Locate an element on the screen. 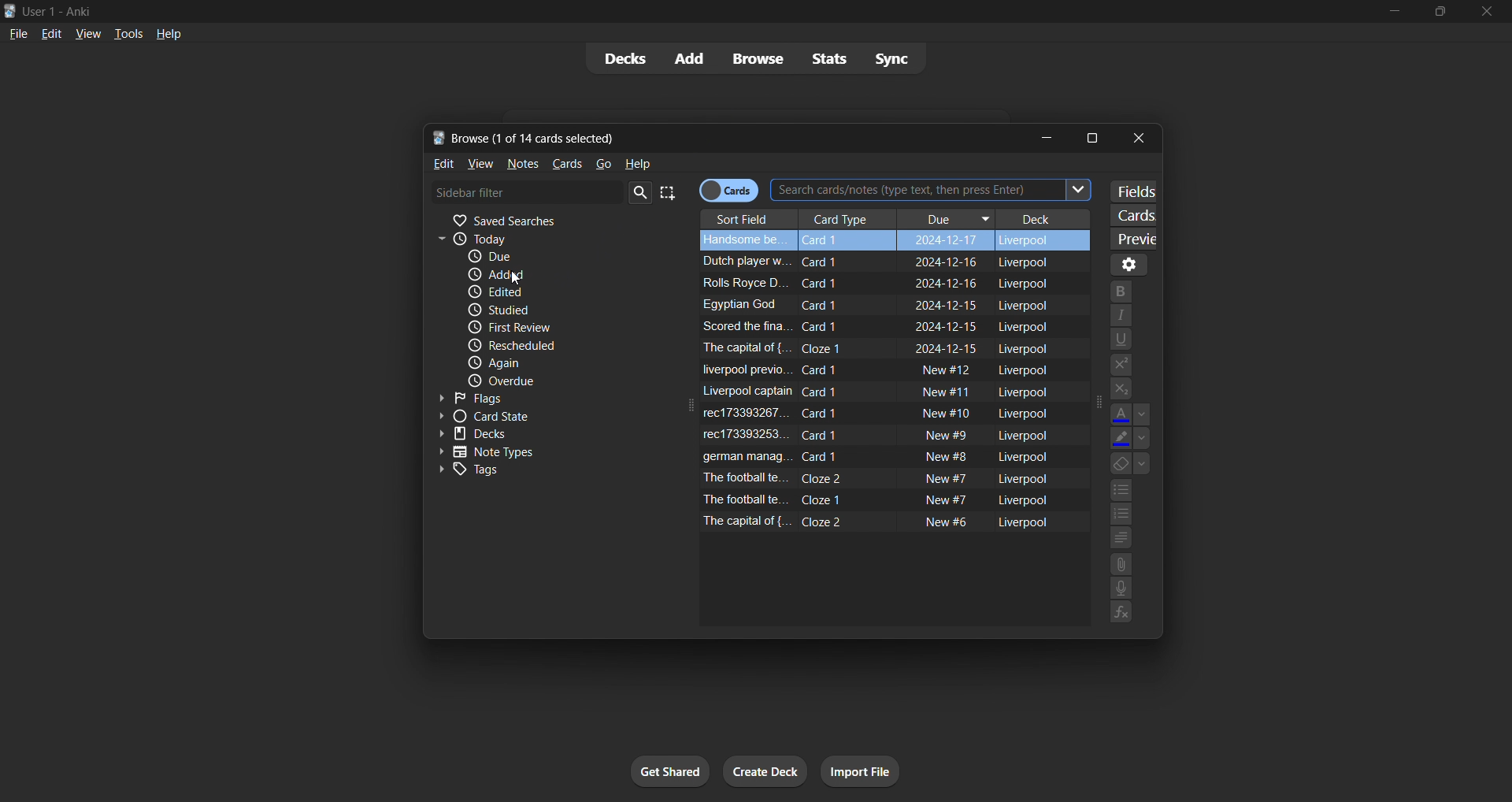 The height and width of the screenshot is (802, 1512). maximize is located at coordinates (1435, 12).